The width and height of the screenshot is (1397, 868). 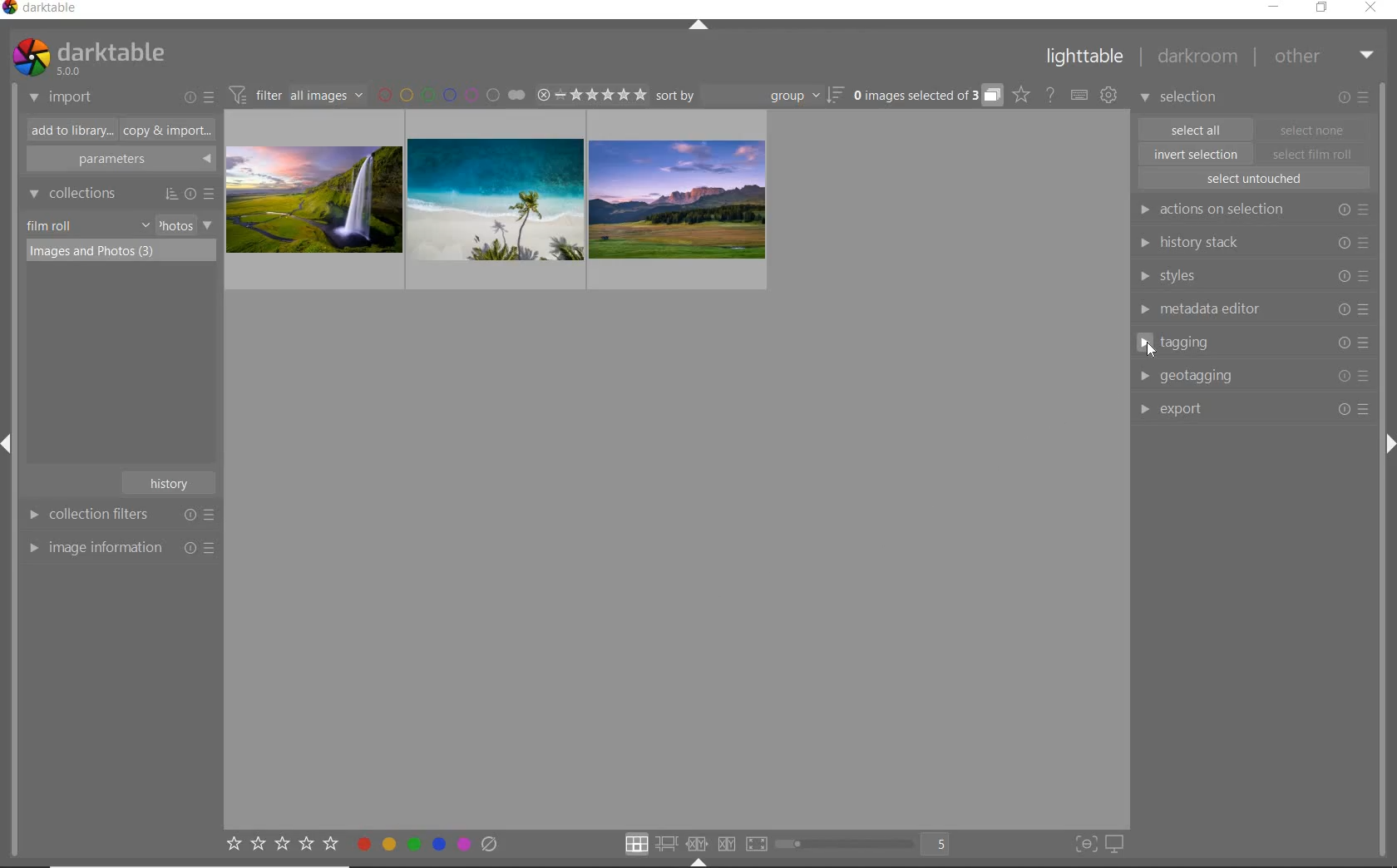 I want to click on metadata editor, so click(x=1251, y=309).